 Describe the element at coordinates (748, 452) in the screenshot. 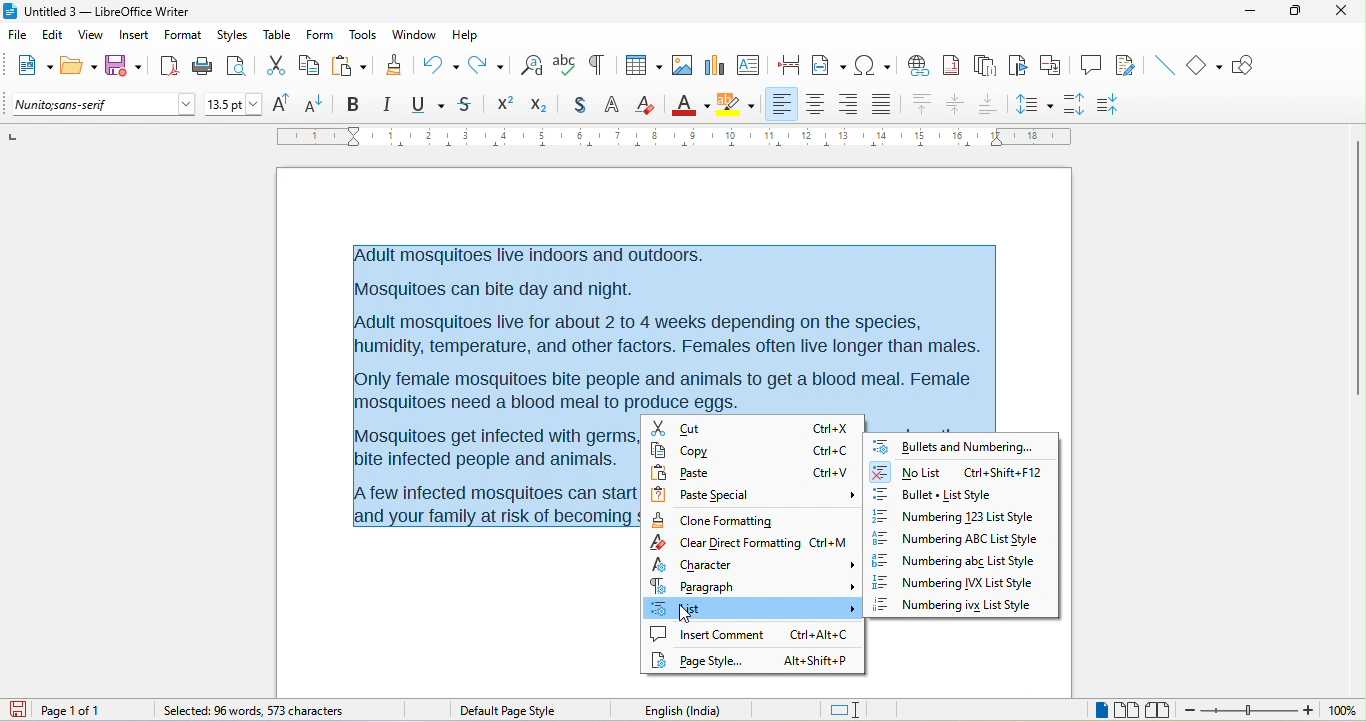

I see `copy` at that location.